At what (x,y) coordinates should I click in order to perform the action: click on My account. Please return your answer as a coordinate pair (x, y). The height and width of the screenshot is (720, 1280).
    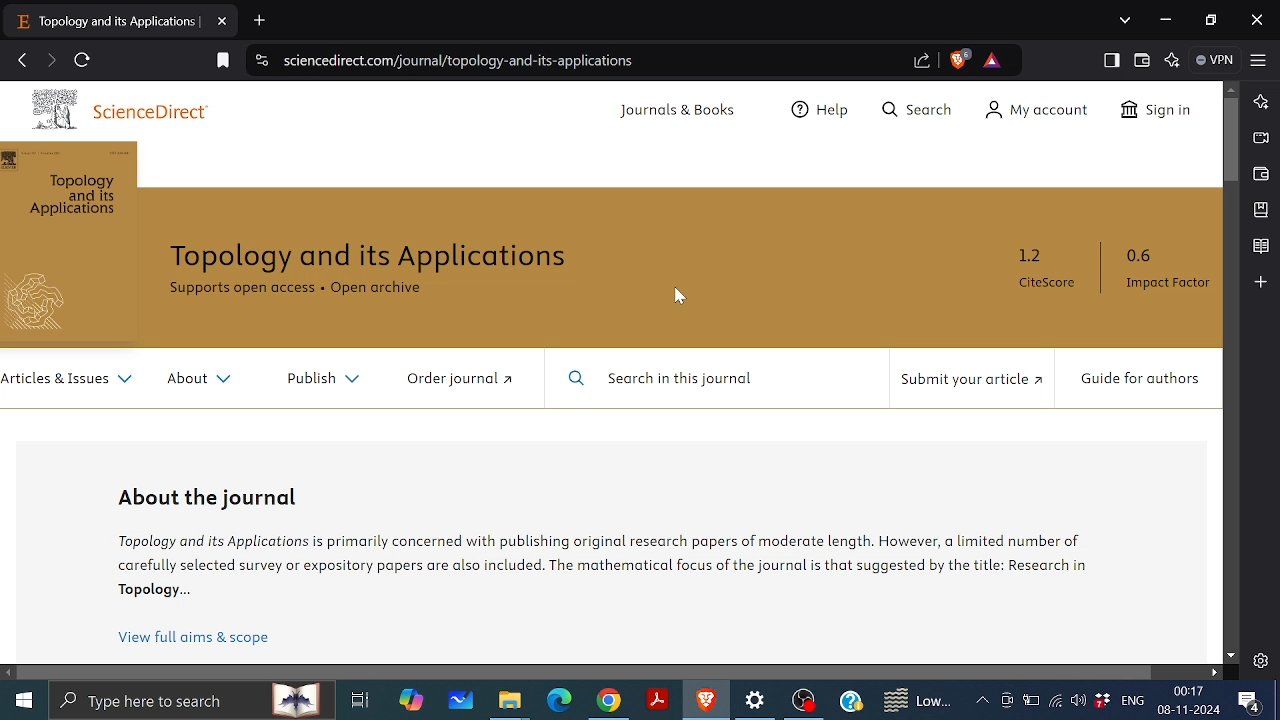
    Looking at the image, I should click on (1041, 111).